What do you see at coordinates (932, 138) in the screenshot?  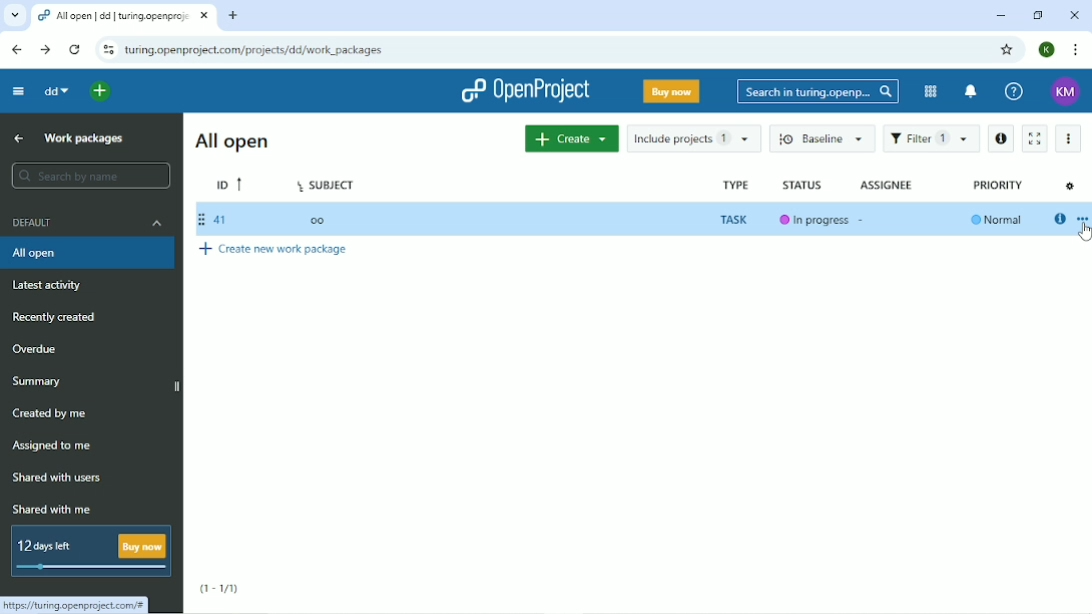 I see `Filter 1` at bounding box center [932, 138].